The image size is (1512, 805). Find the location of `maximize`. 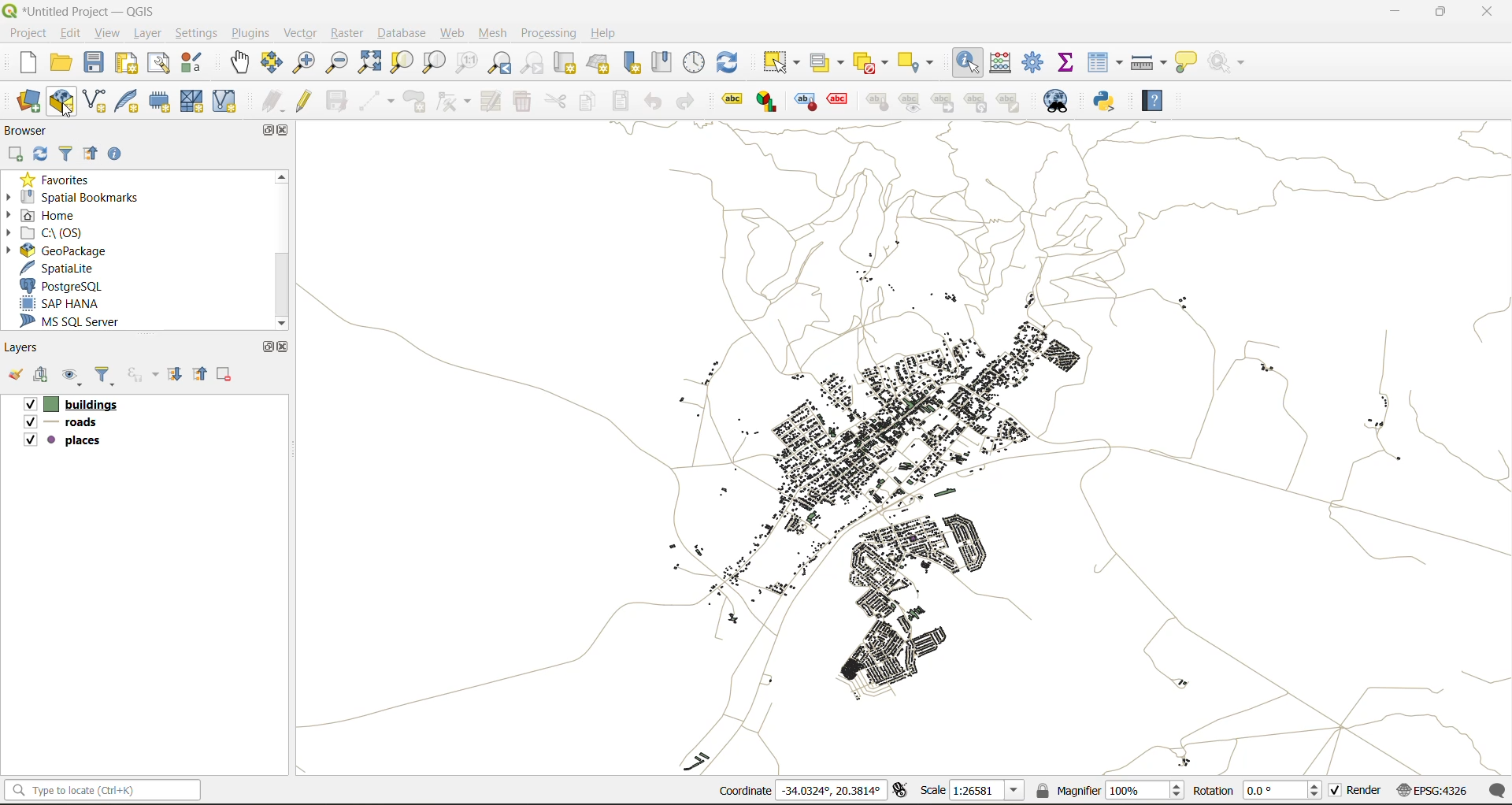

maximize is located at coordinates (1440, 14).